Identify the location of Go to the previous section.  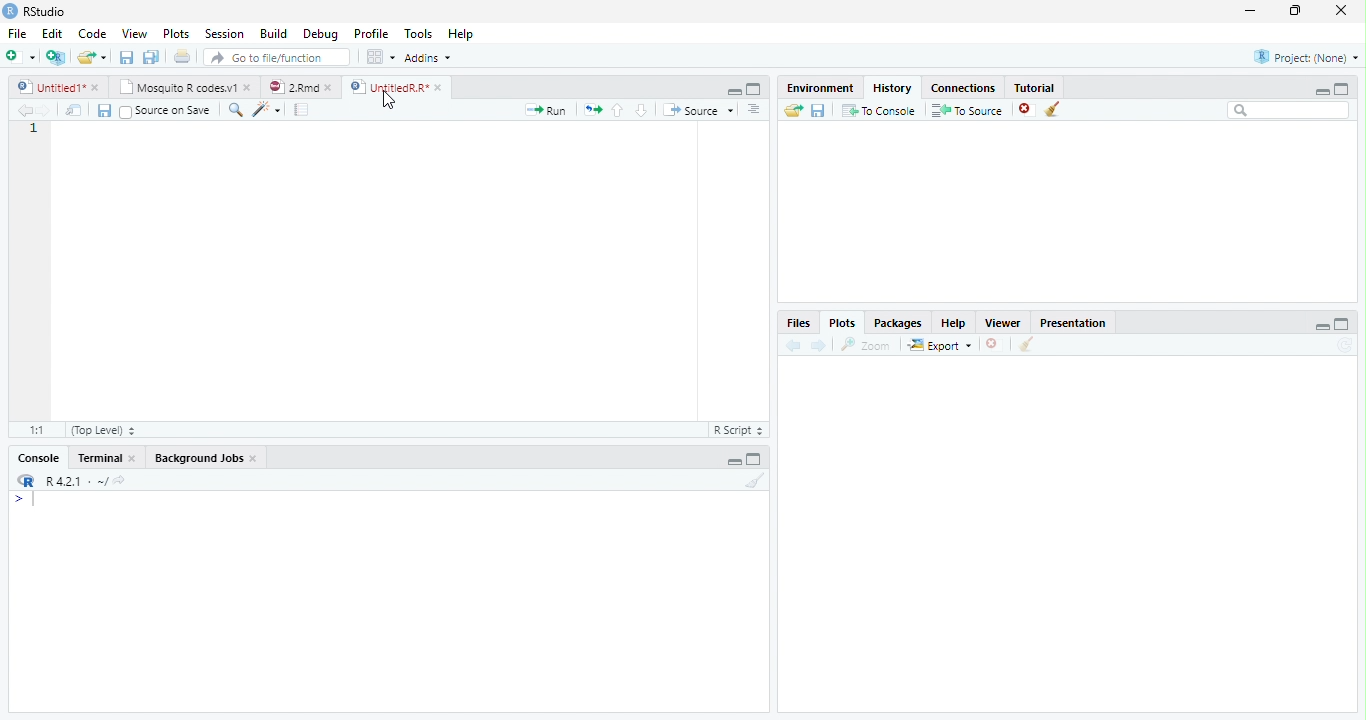
(617, 111).